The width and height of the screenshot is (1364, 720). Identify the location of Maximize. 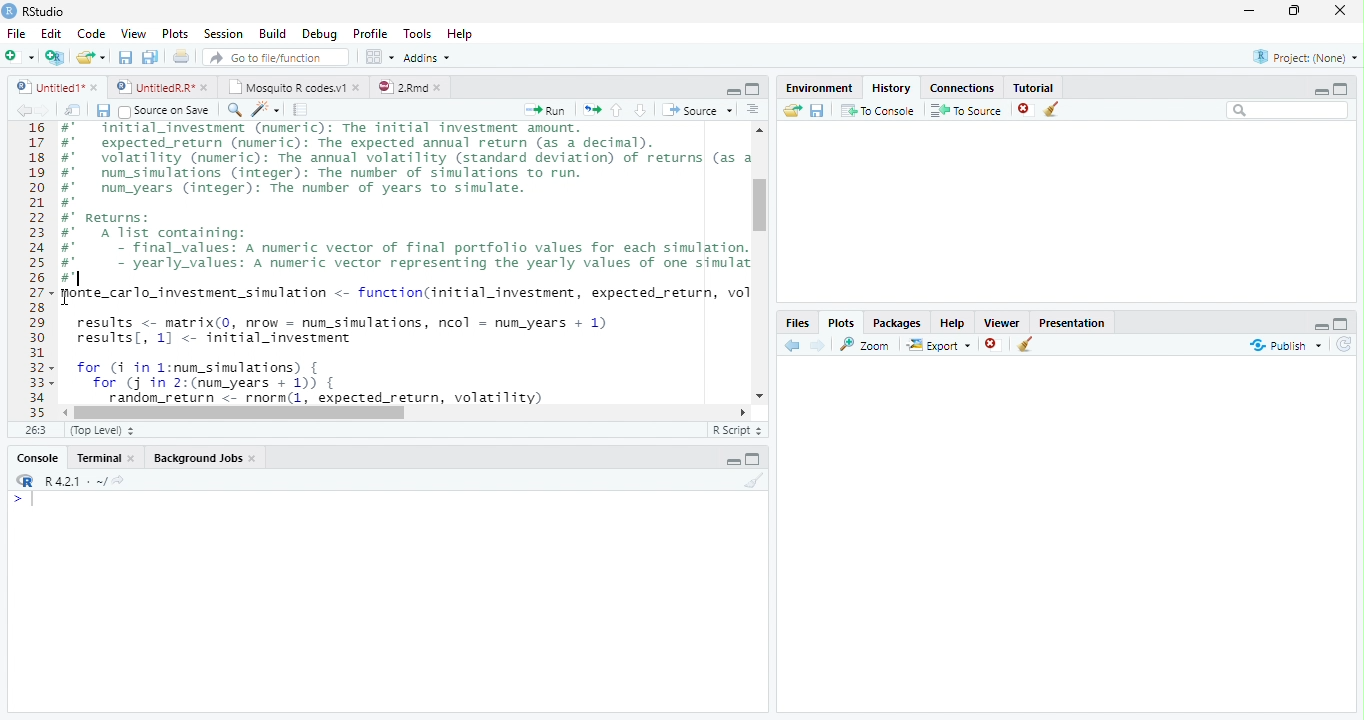
(1299, 12).